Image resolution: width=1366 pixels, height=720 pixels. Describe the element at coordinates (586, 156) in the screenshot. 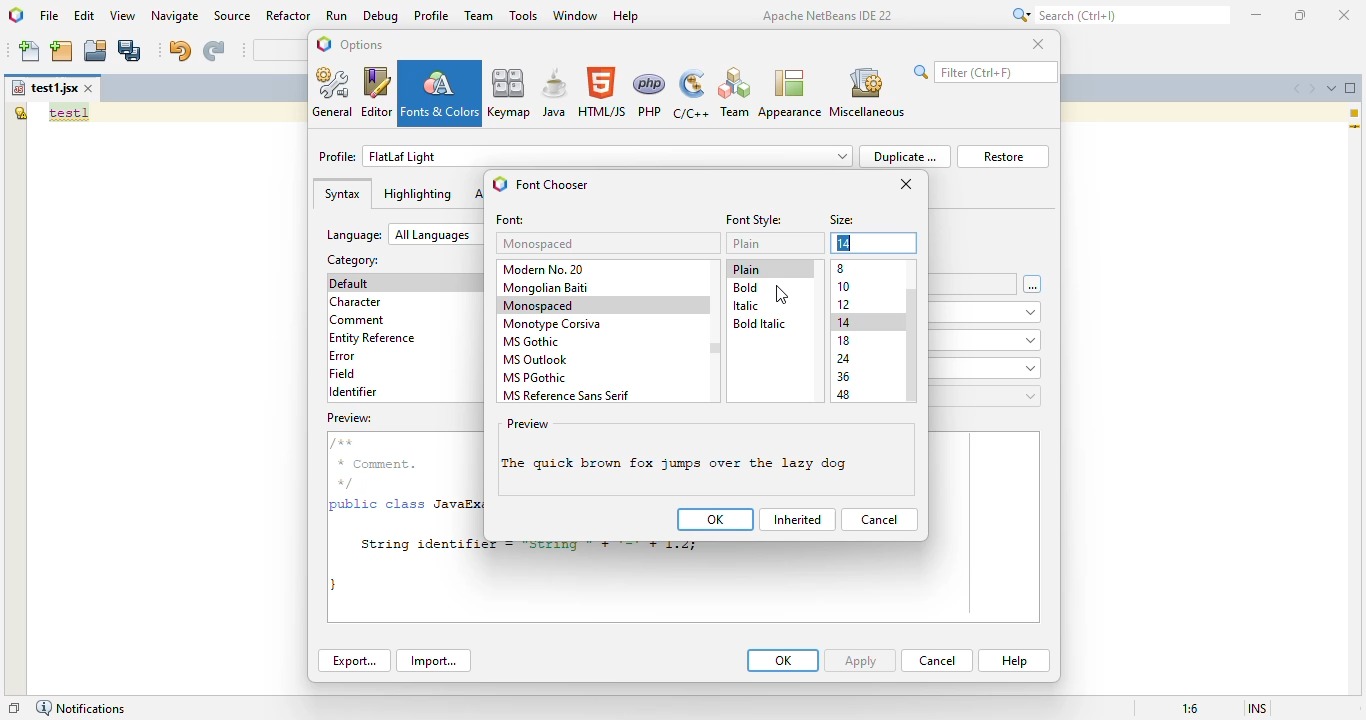

I see `profile` at that location.